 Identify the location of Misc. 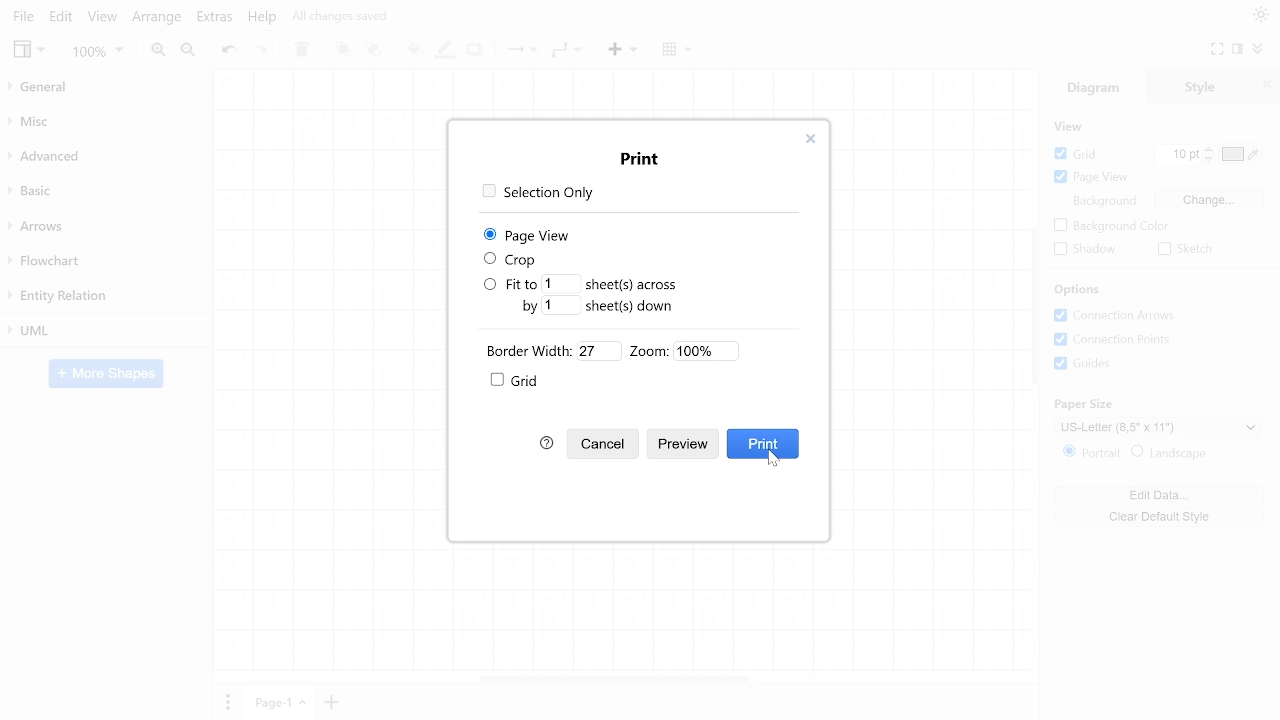
(103, 122).